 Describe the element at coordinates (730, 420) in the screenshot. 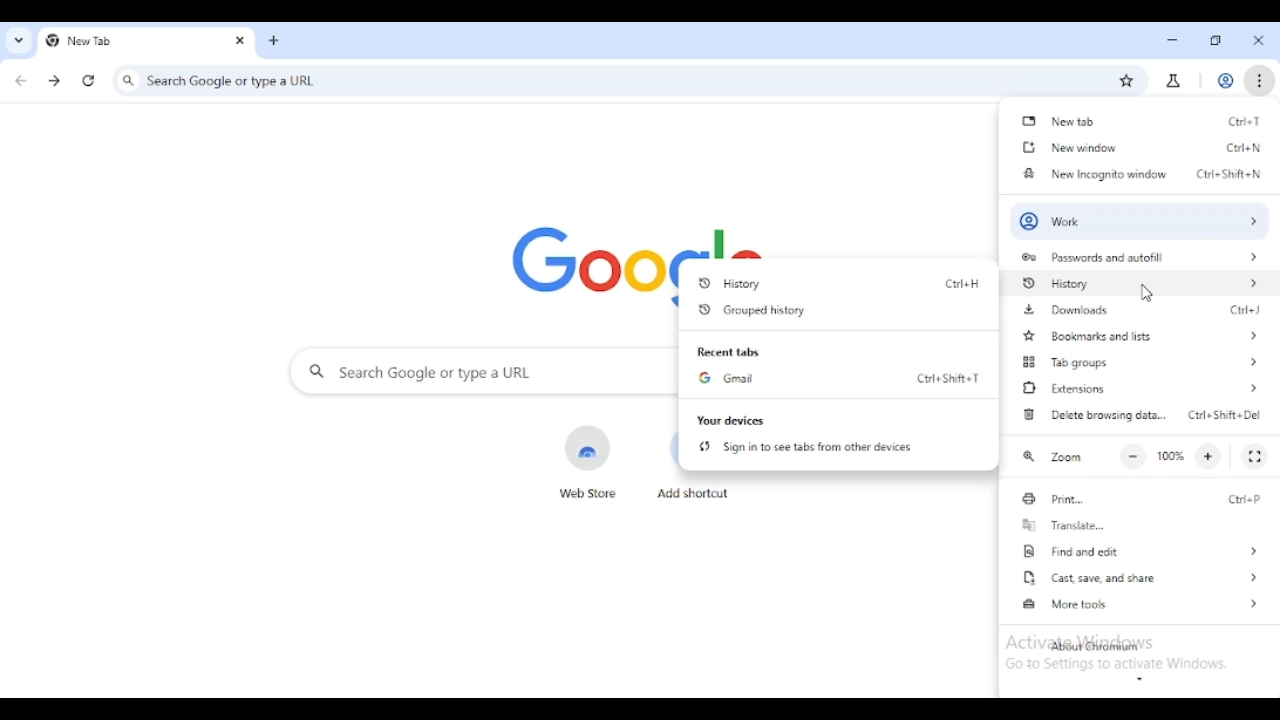

I see `your devices` at that location.